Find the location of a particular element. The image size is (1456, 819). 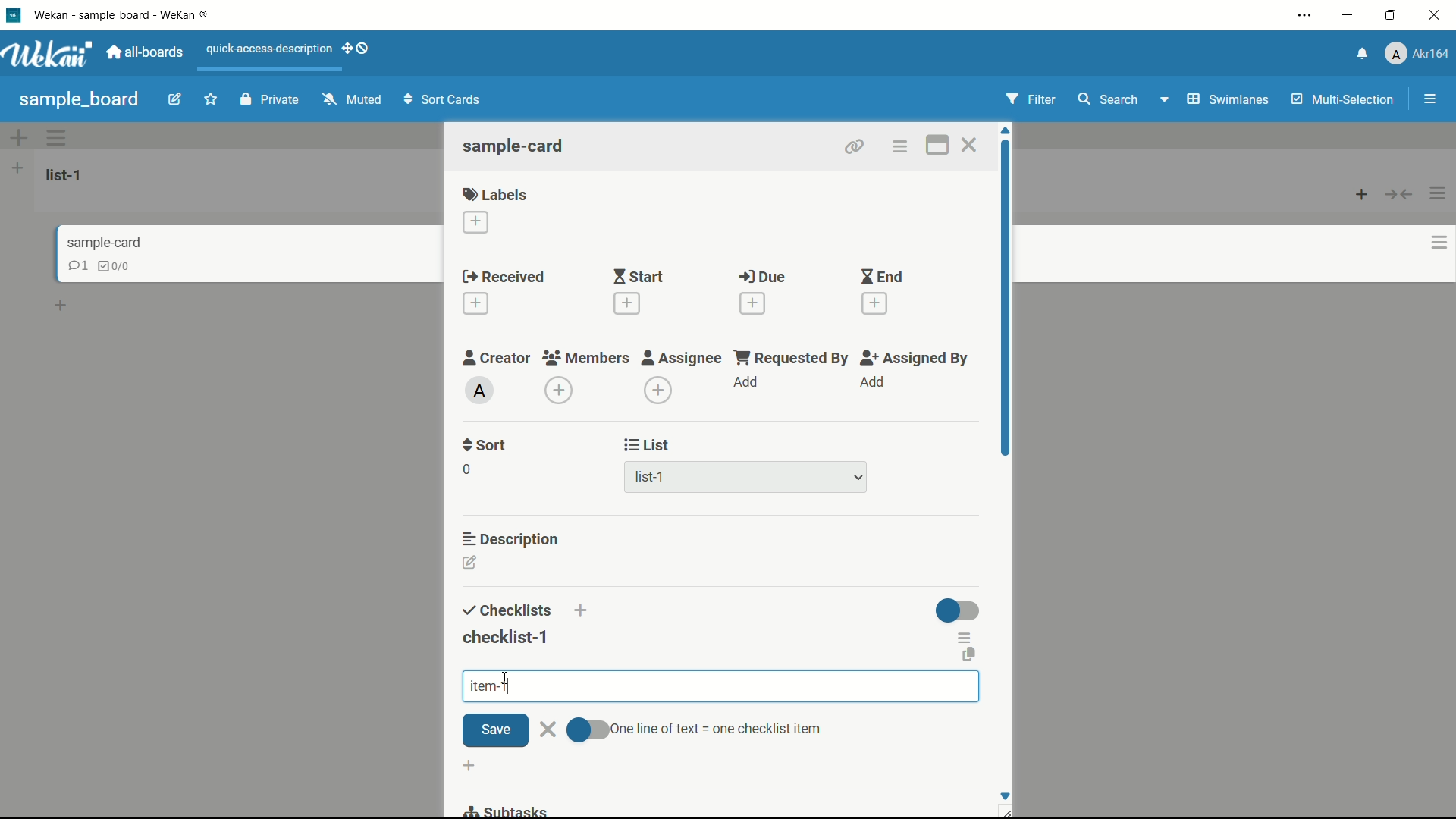

maximize card is located at coordinates (937, 145).